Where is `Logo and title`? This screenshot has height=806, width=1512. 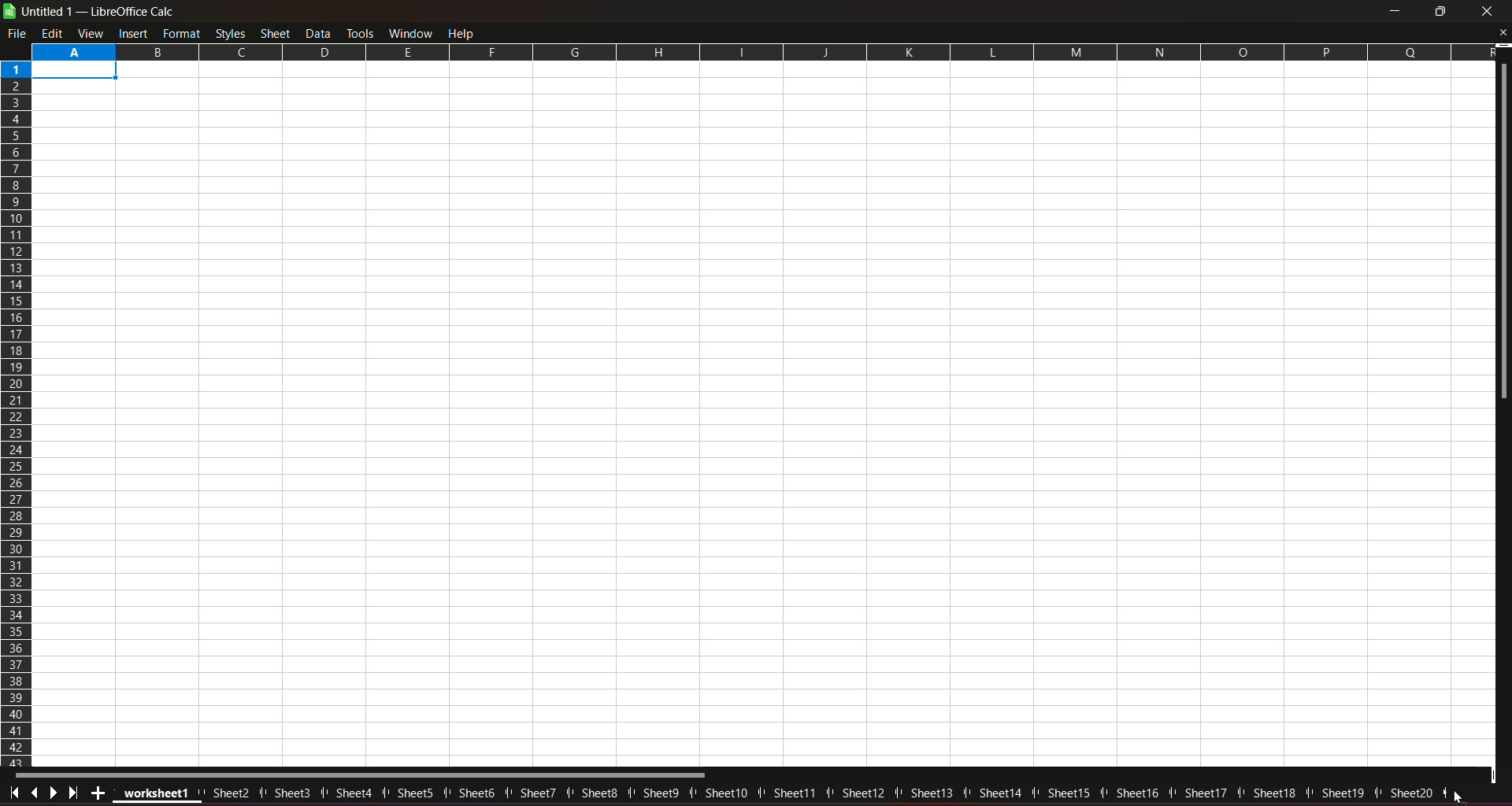
Logo and title is located at coordinates (90, 11).